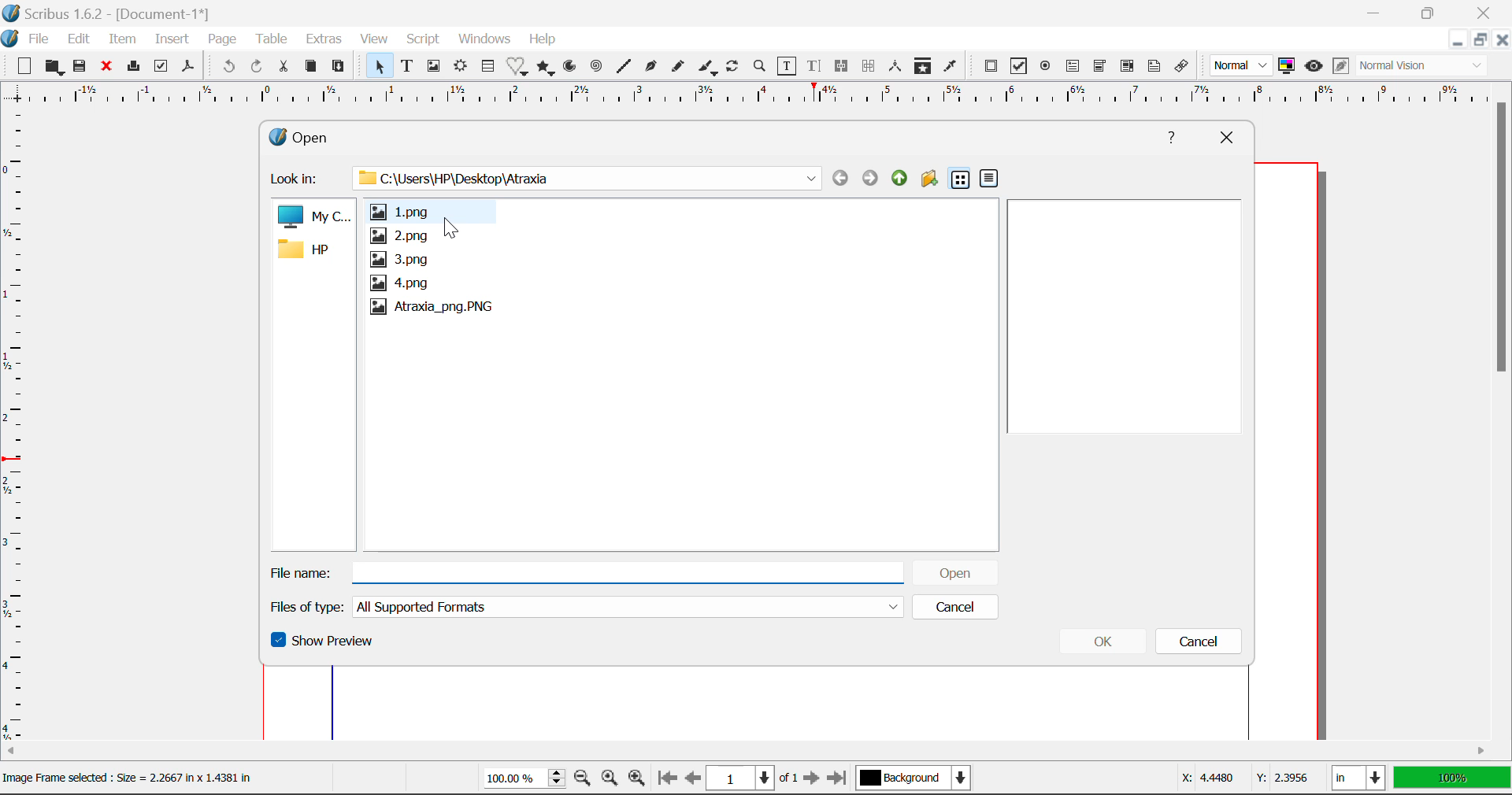  What do you see at coordinates (324, 645) in the screenshot?
I see `Show Preview` at bounding box center [324, 645].